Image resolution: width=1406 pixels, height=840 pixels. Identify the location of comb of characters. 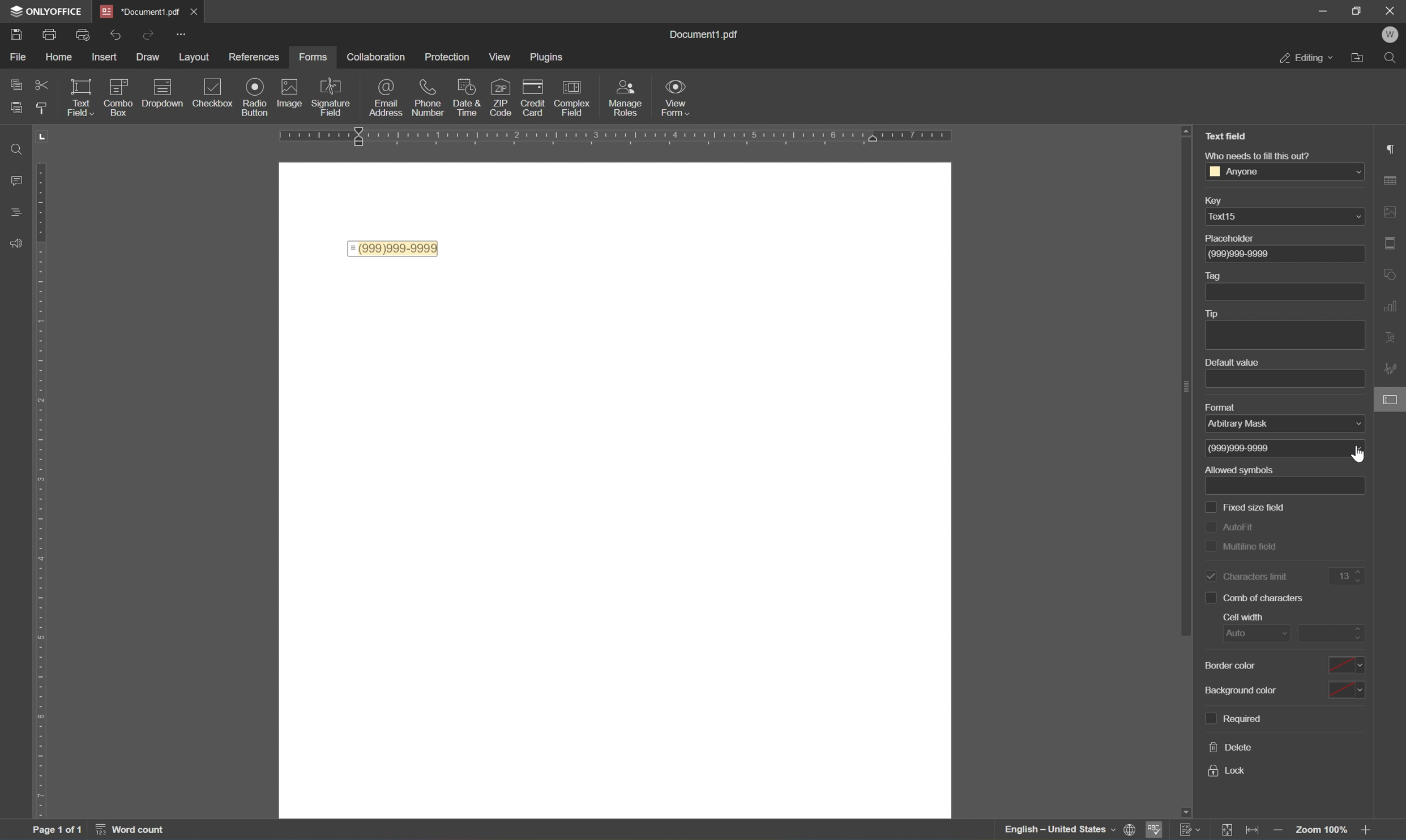
(1253, 598).